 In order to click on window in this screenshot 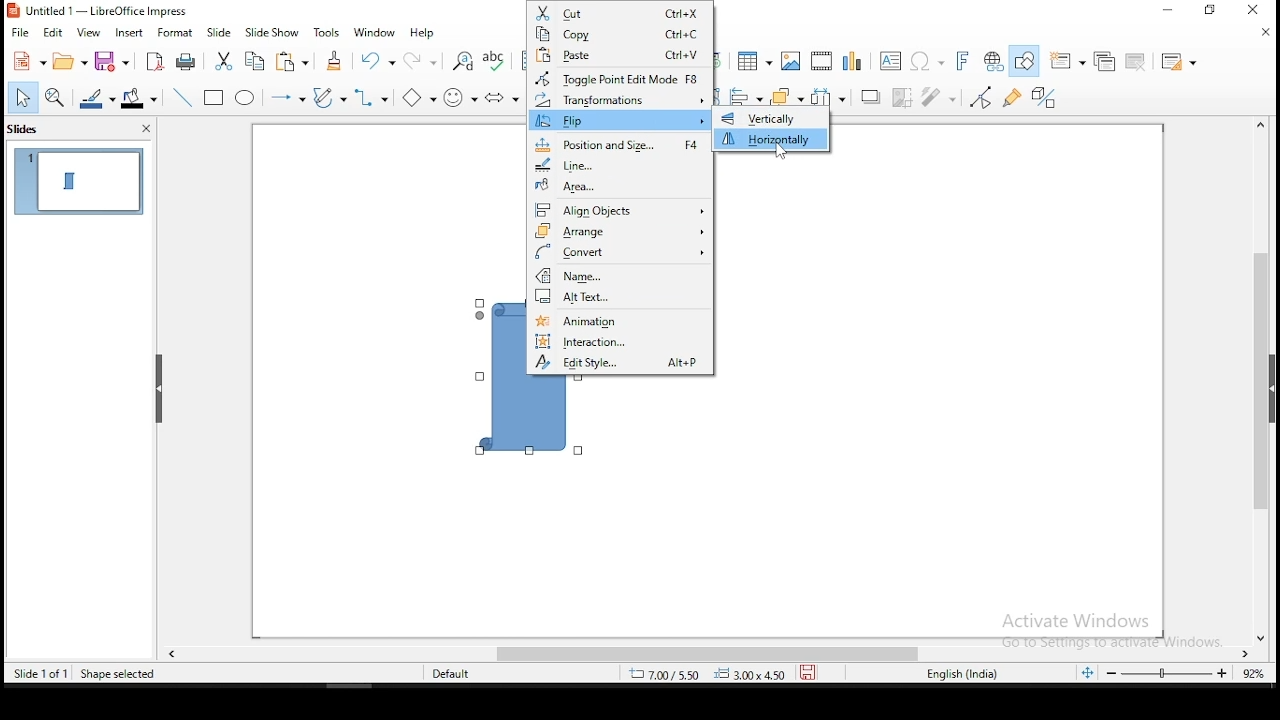, I will do `click(375, 32)`.